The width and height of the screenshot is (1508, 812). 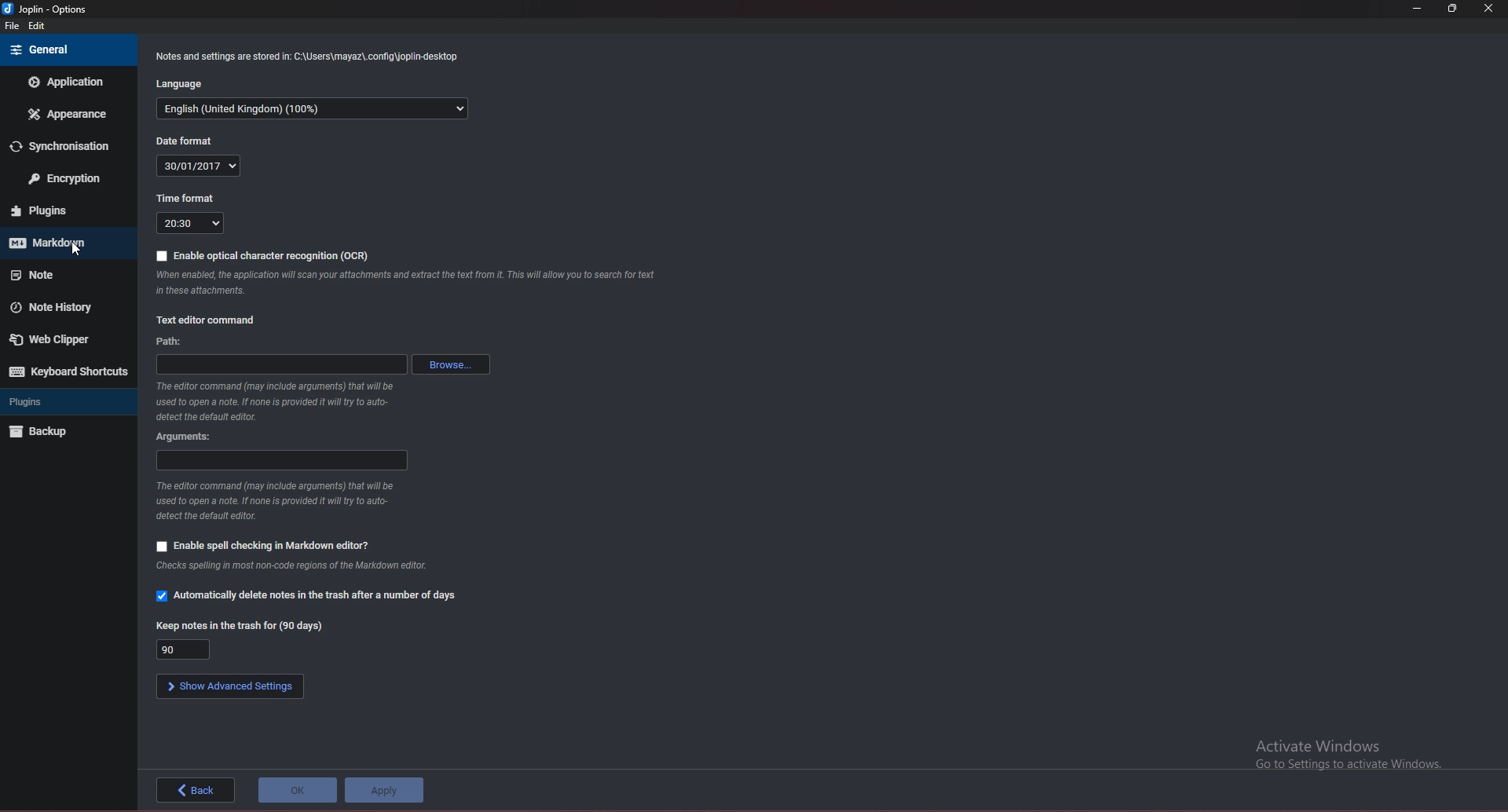 I want to click on keep notes in trash for, so click(x=241, y=624).